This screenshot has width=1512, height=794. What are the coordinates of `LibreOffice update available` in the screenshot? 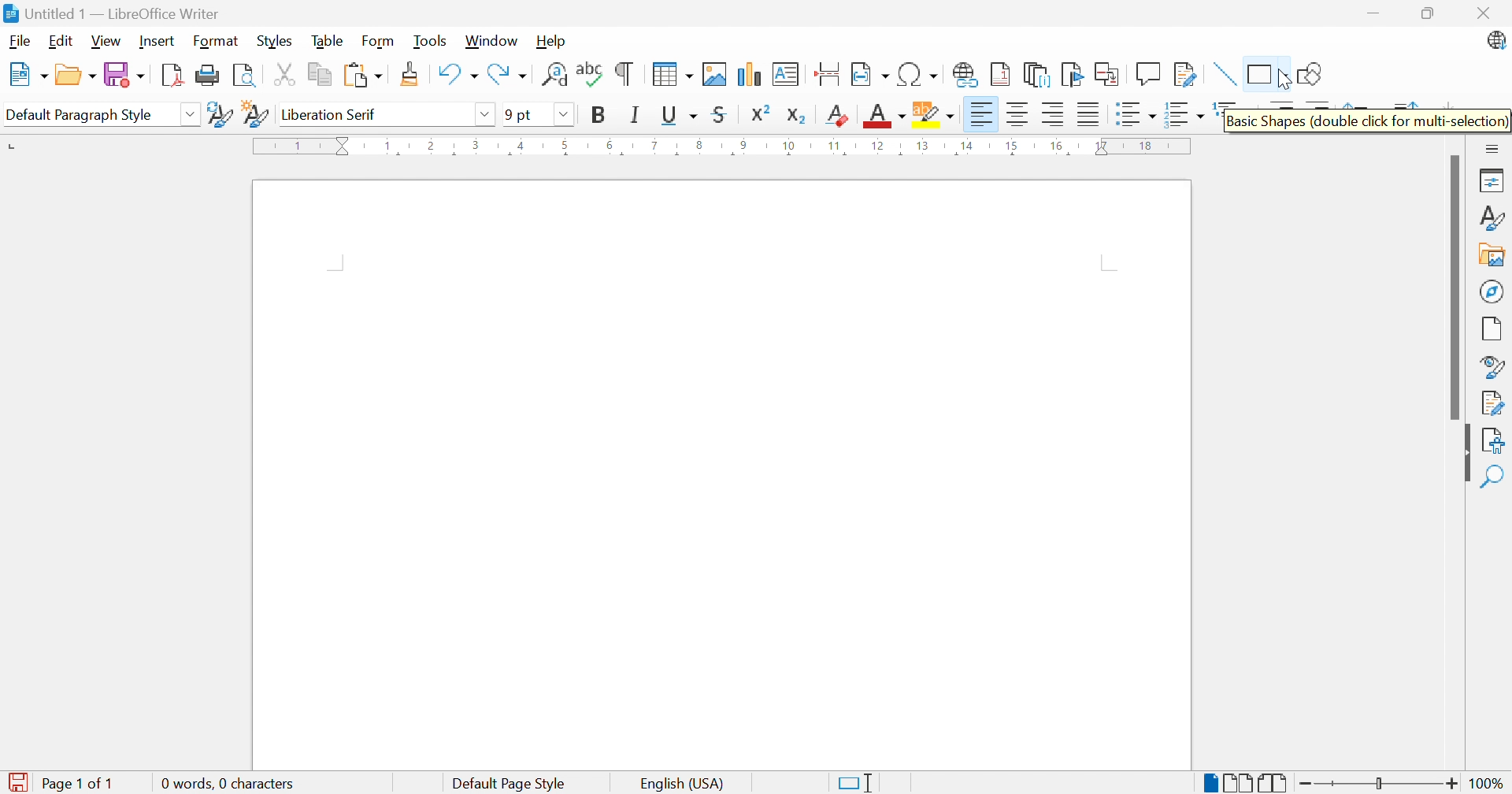 It's located at (1495, 40).